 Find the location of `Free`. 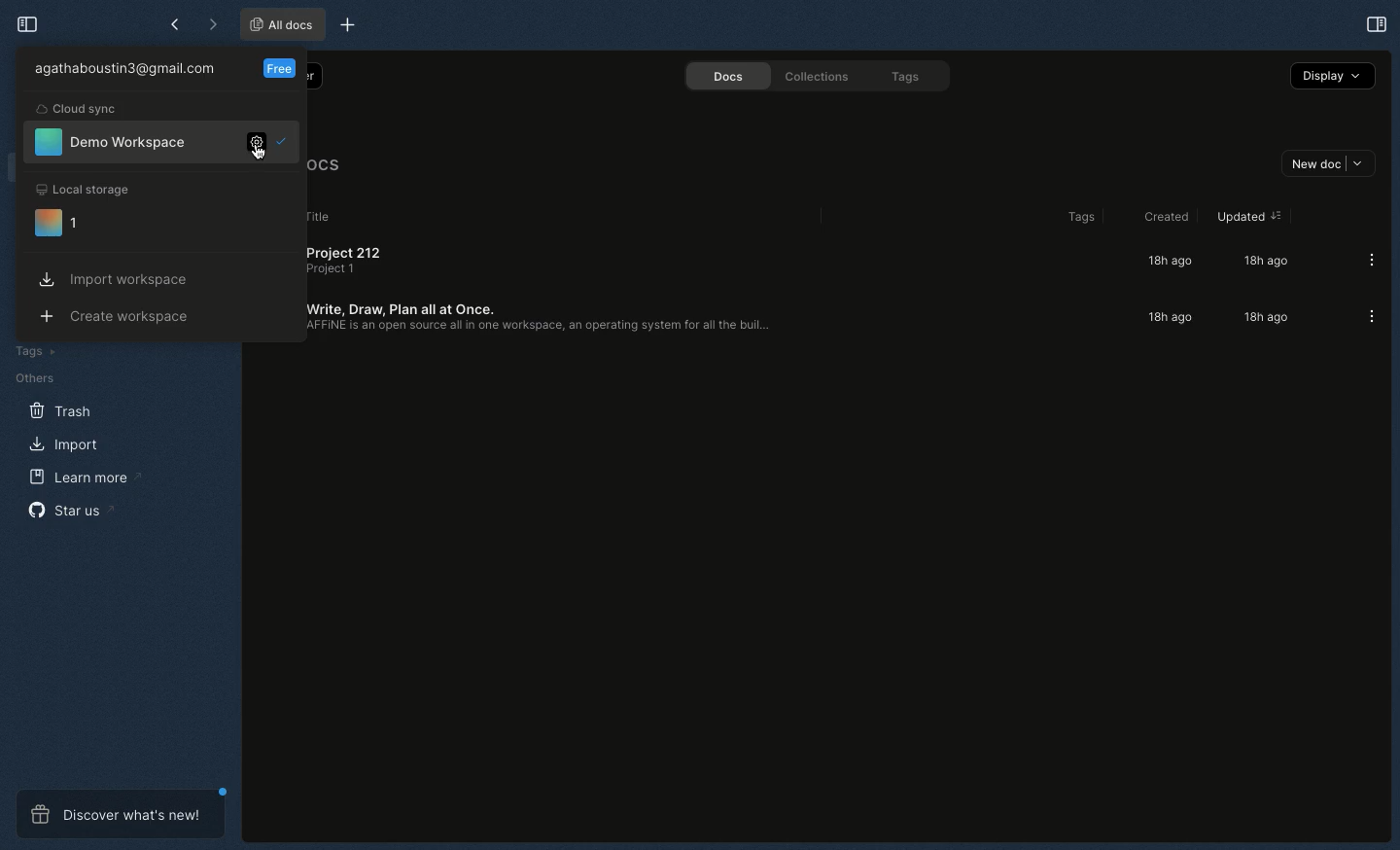

Free is located at coordinates (281, 67).